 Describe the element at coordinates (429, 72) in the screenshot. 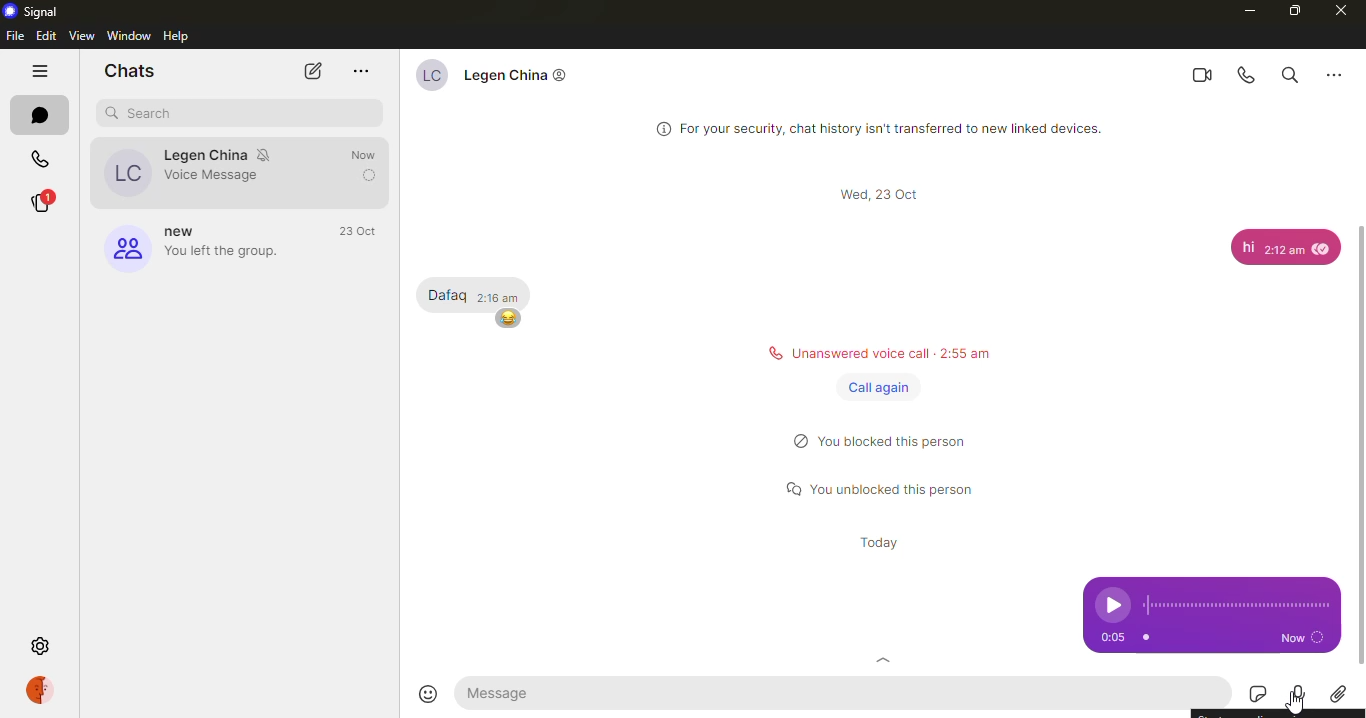

I see `profile picture` at that location.